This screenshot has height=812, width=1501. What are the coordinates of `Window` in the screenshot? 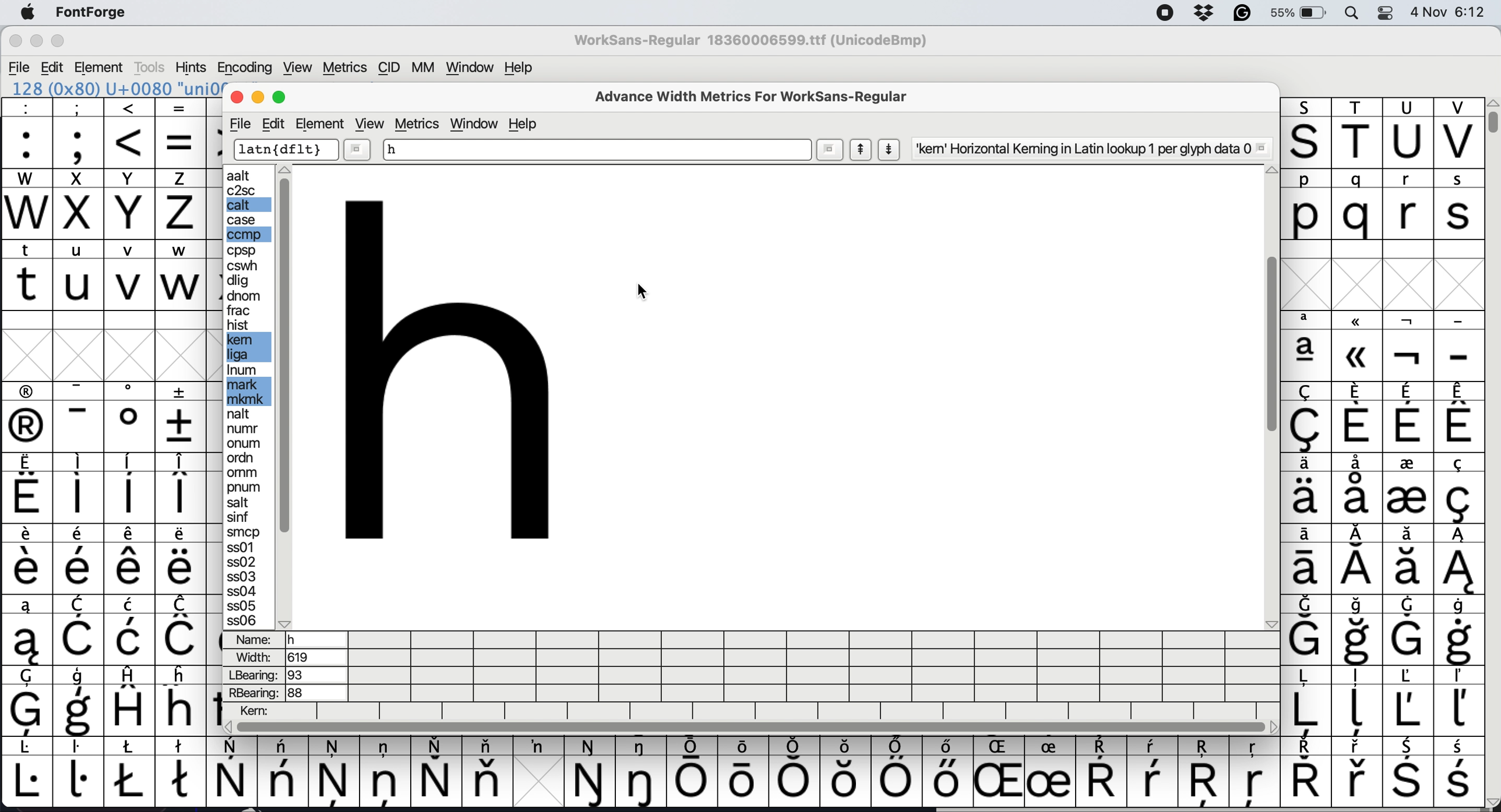 It's located at (471, 67).